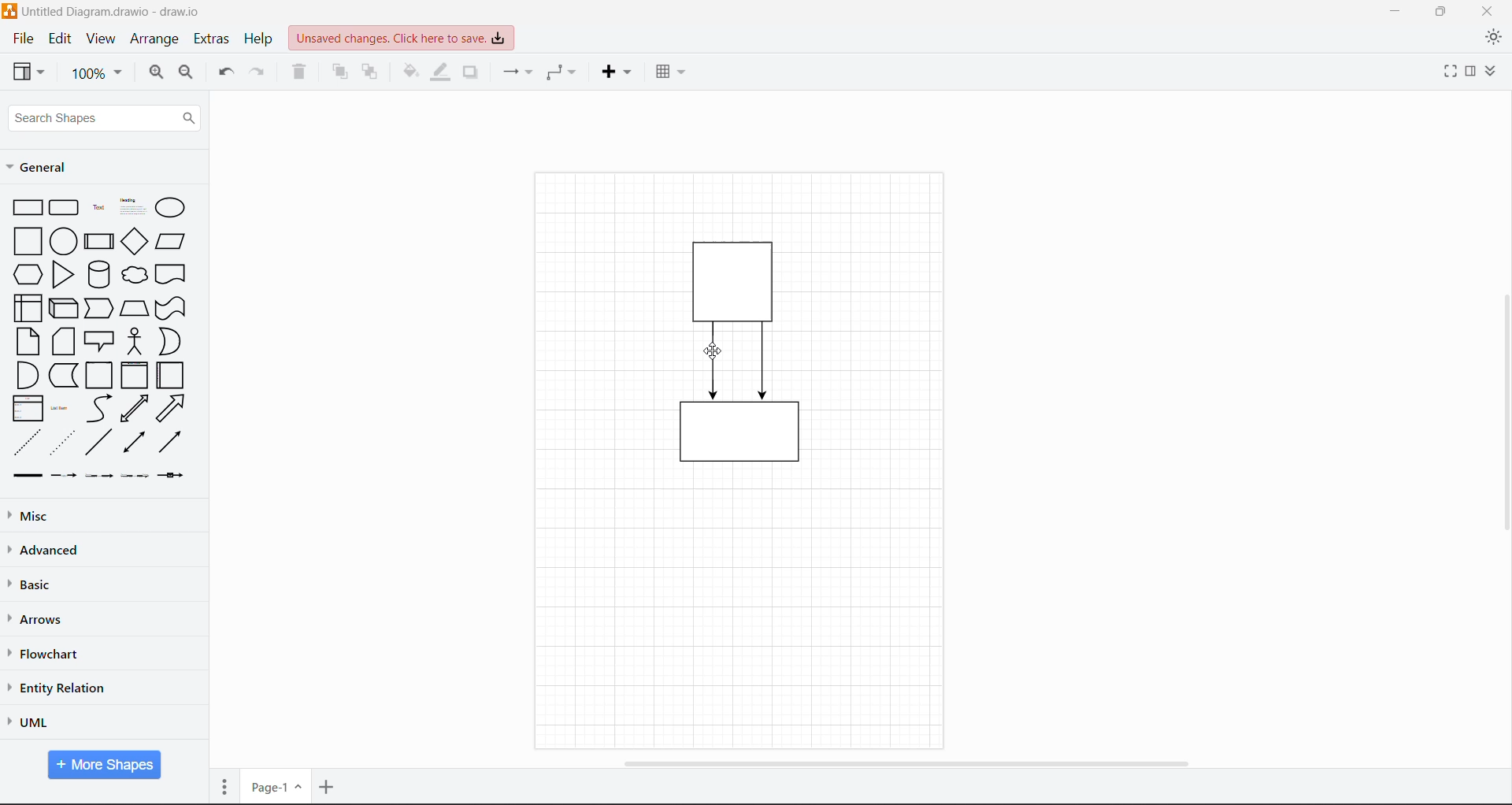 The height and width of the screenshot is (805, 1512). What do you see at coordinates (442, 72) in the screenshot?
I see `Line Color` at bounding box center [442, 72].